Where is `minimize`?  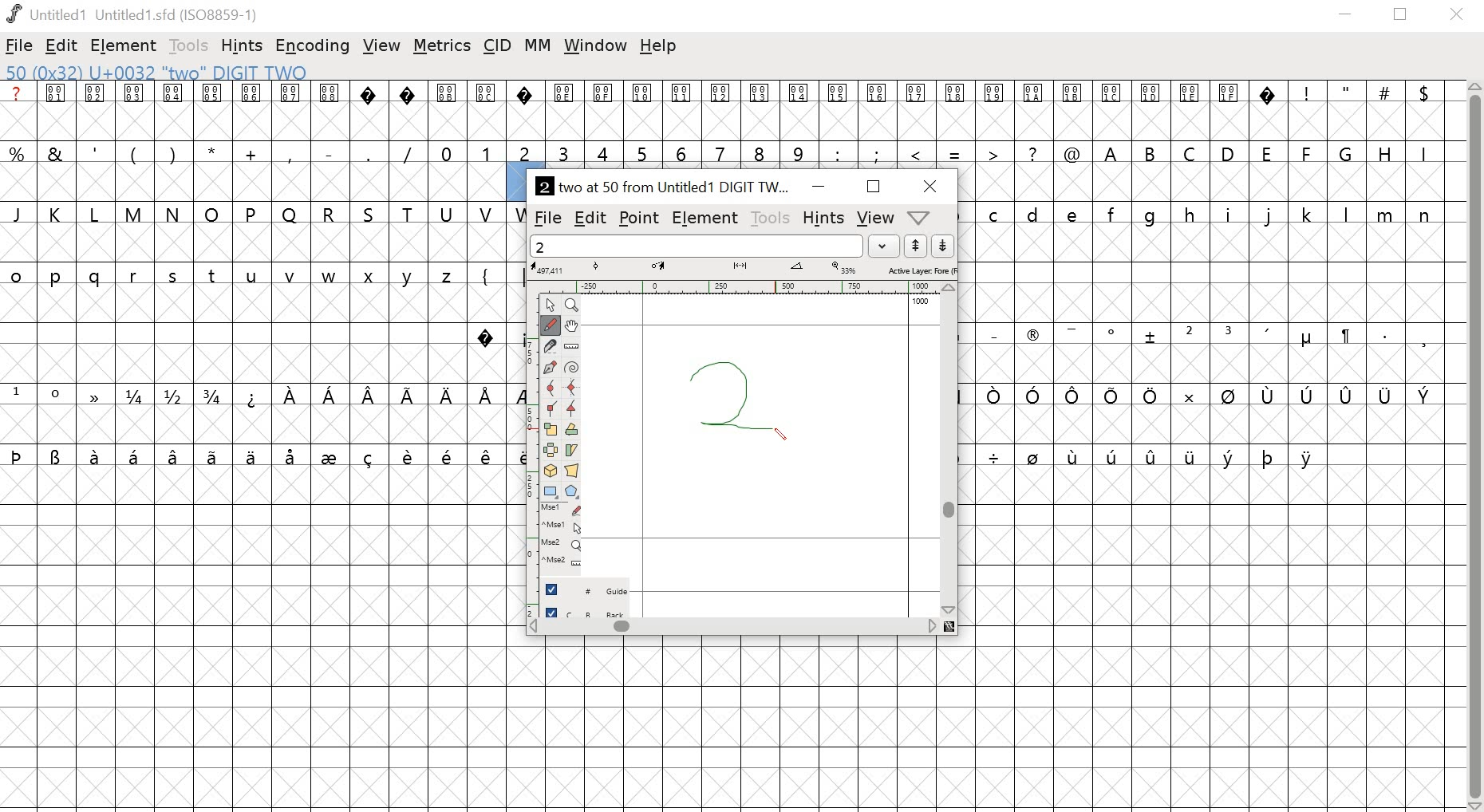
minimize is located at coordinates (1346, 16).